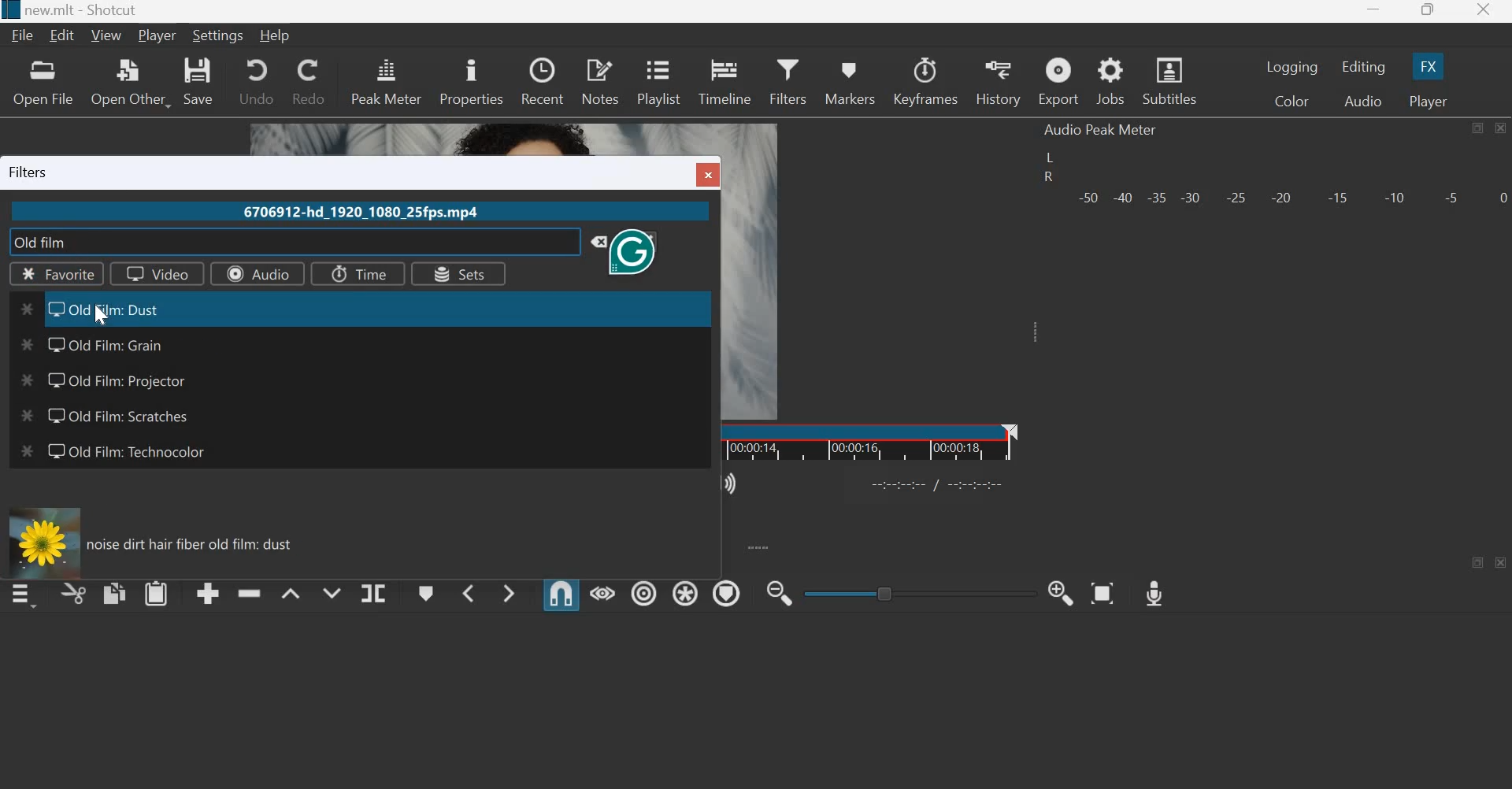  What do you see at coordinates (25, 35) in the screenshot?
I see `File` at bounding box center [25, 35].